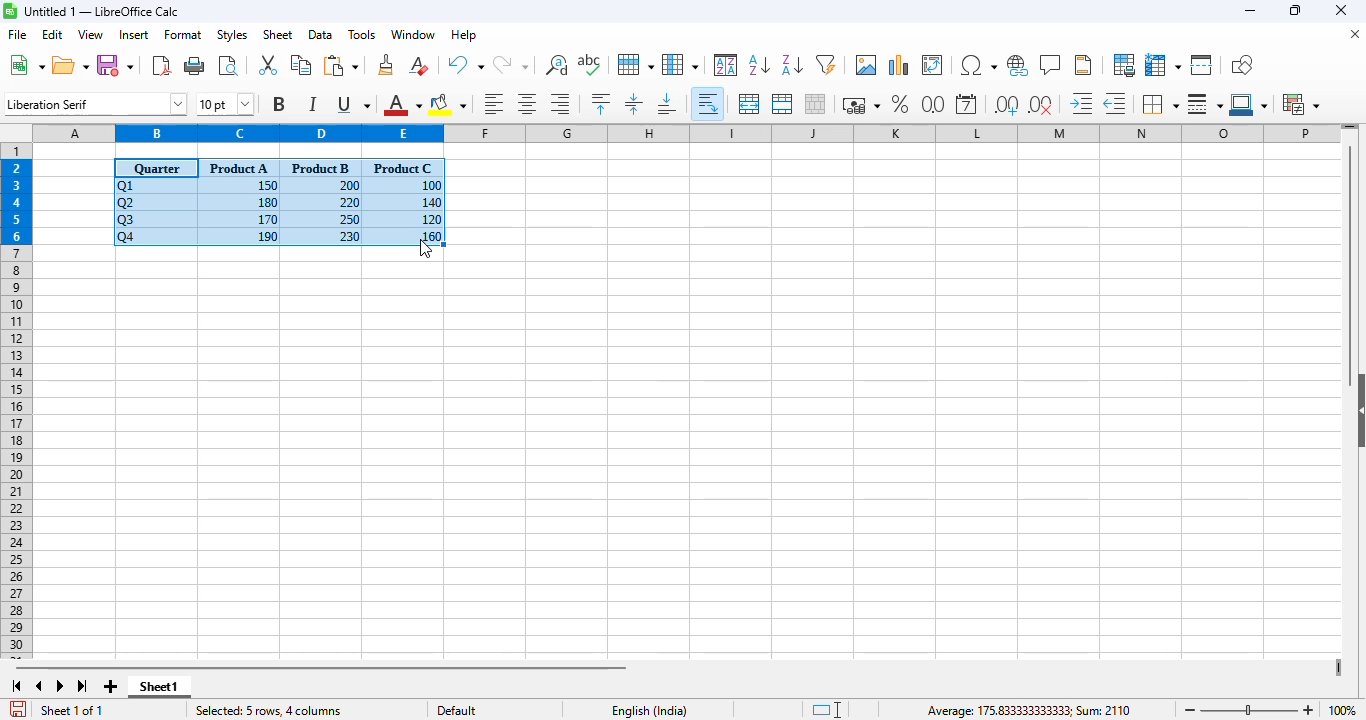  I want to click on bold, so click(279, 103).